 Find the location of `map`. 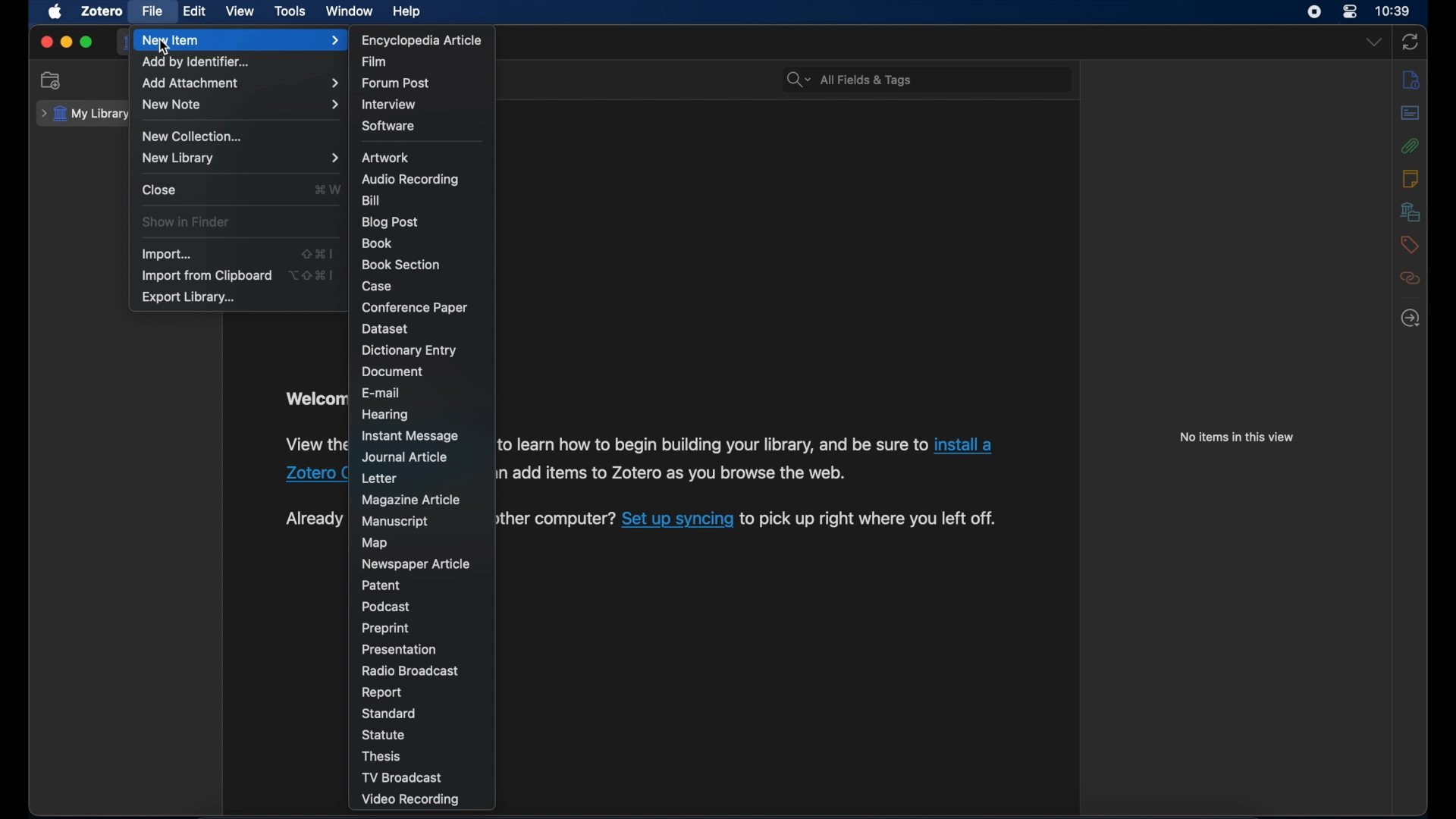

map is located at coordinates (377, 543).